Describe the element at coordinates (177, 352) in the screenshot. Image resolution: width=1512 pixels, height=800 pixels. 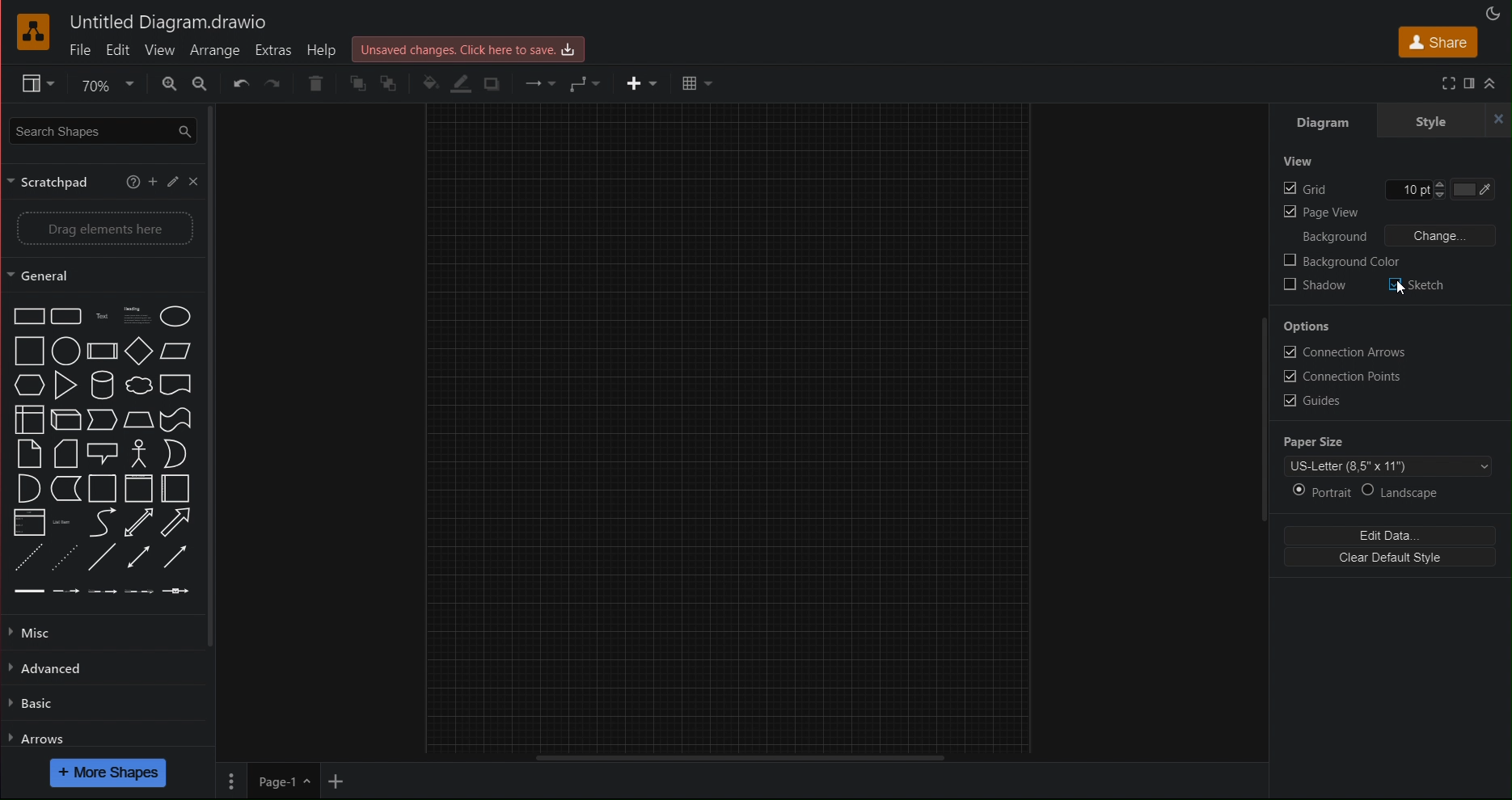
I see `parallelogram` at that location.